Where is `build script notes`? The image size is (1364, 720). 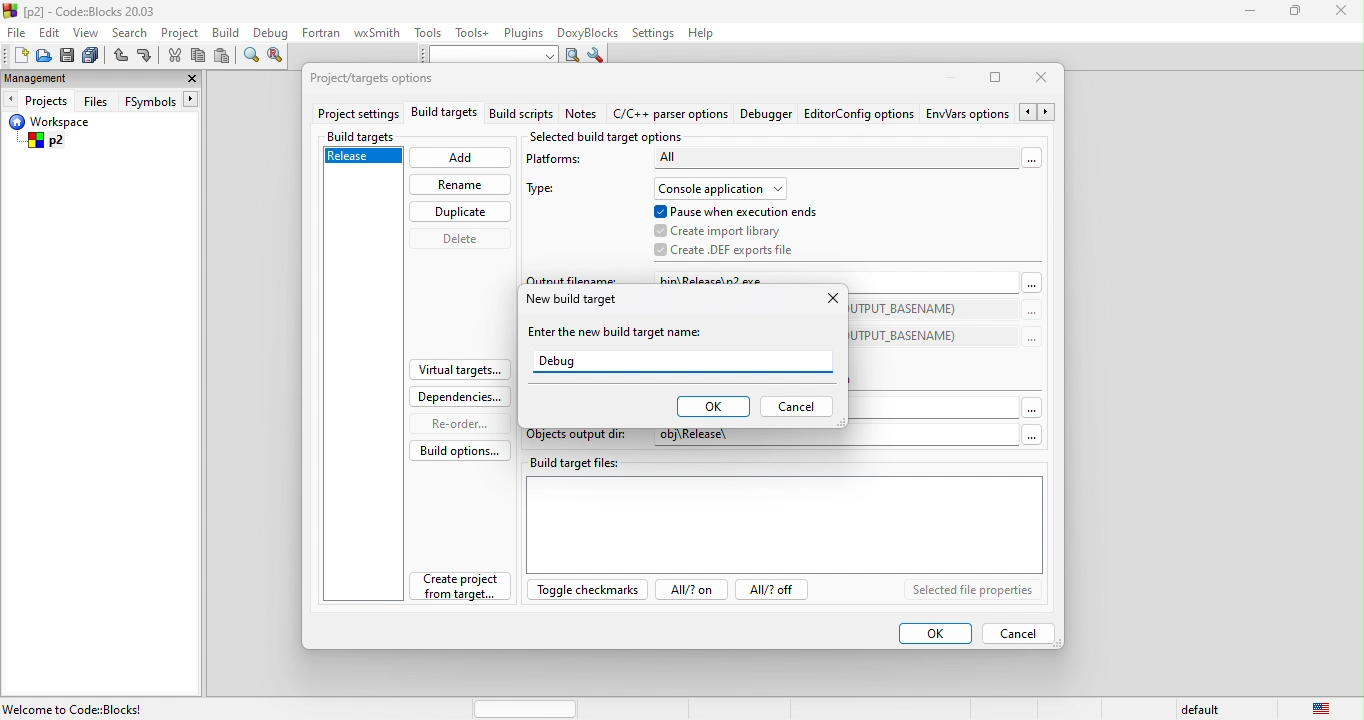
build script notes is located at coordinates (521, 115).